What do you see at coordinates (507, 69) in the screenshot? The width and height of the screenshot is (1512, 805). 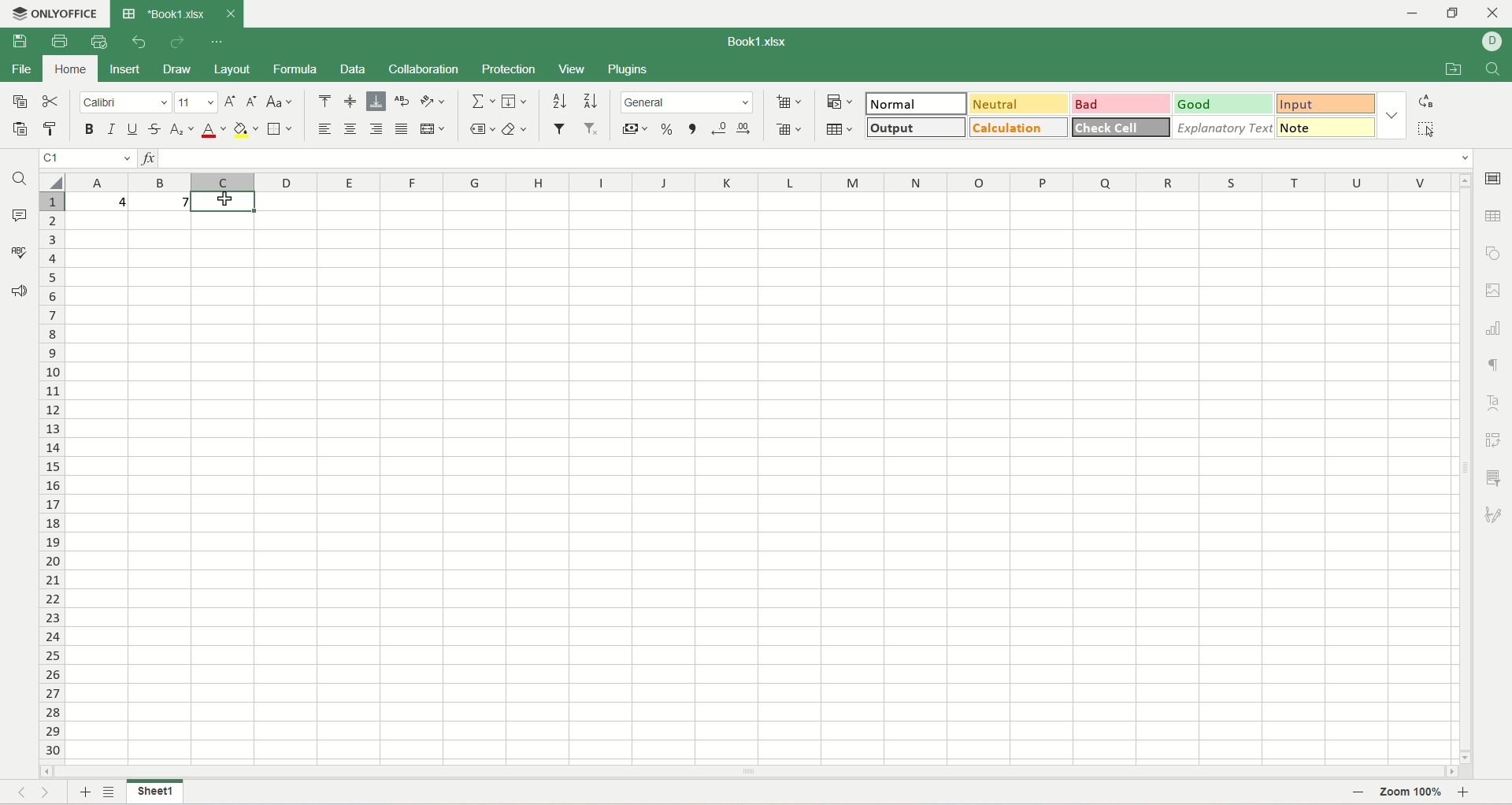 I see `protection` at bounding box center [507, 69].